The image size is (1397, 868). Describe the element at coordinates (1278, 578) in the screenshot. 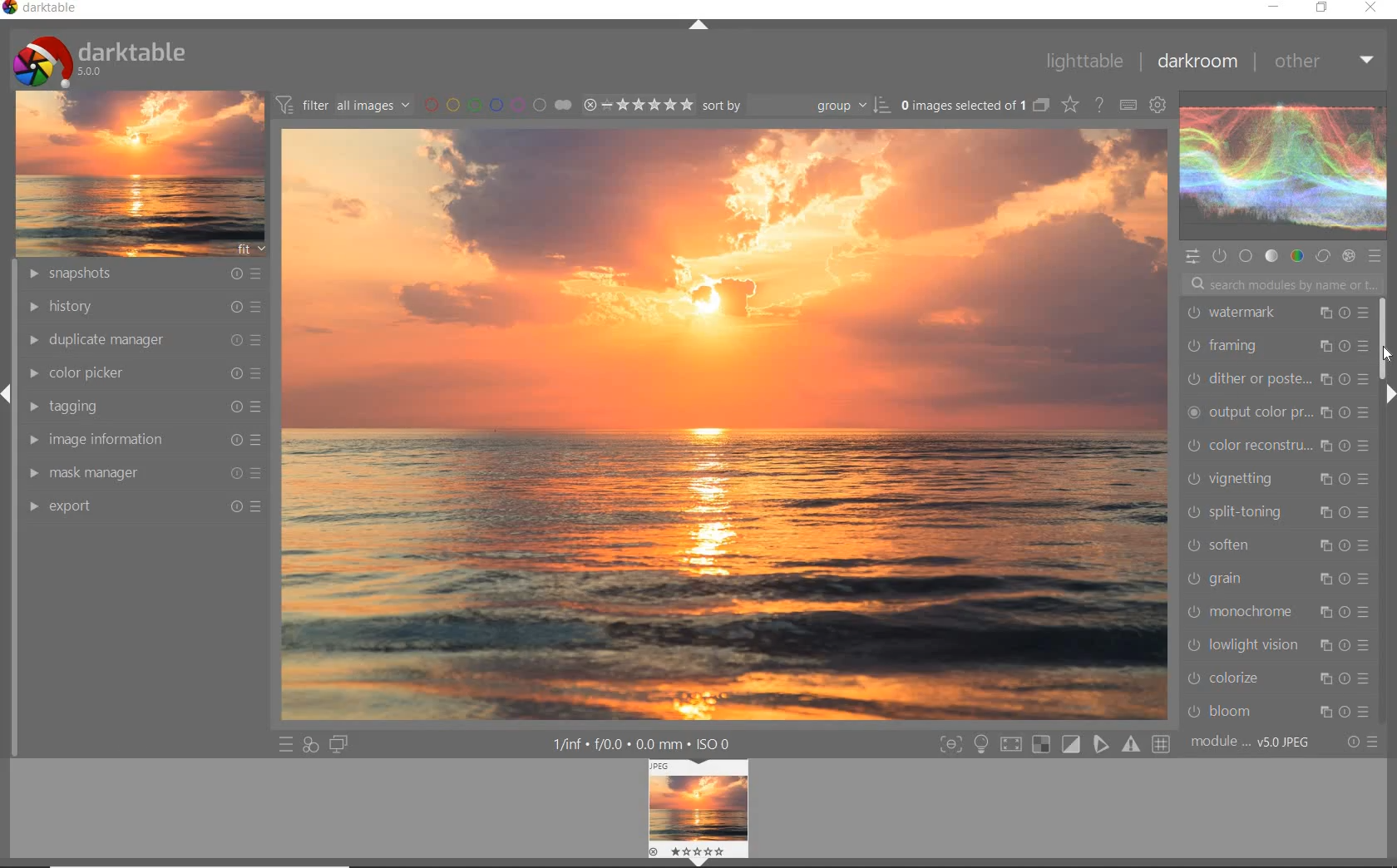

I see `GRAIN` at that location.